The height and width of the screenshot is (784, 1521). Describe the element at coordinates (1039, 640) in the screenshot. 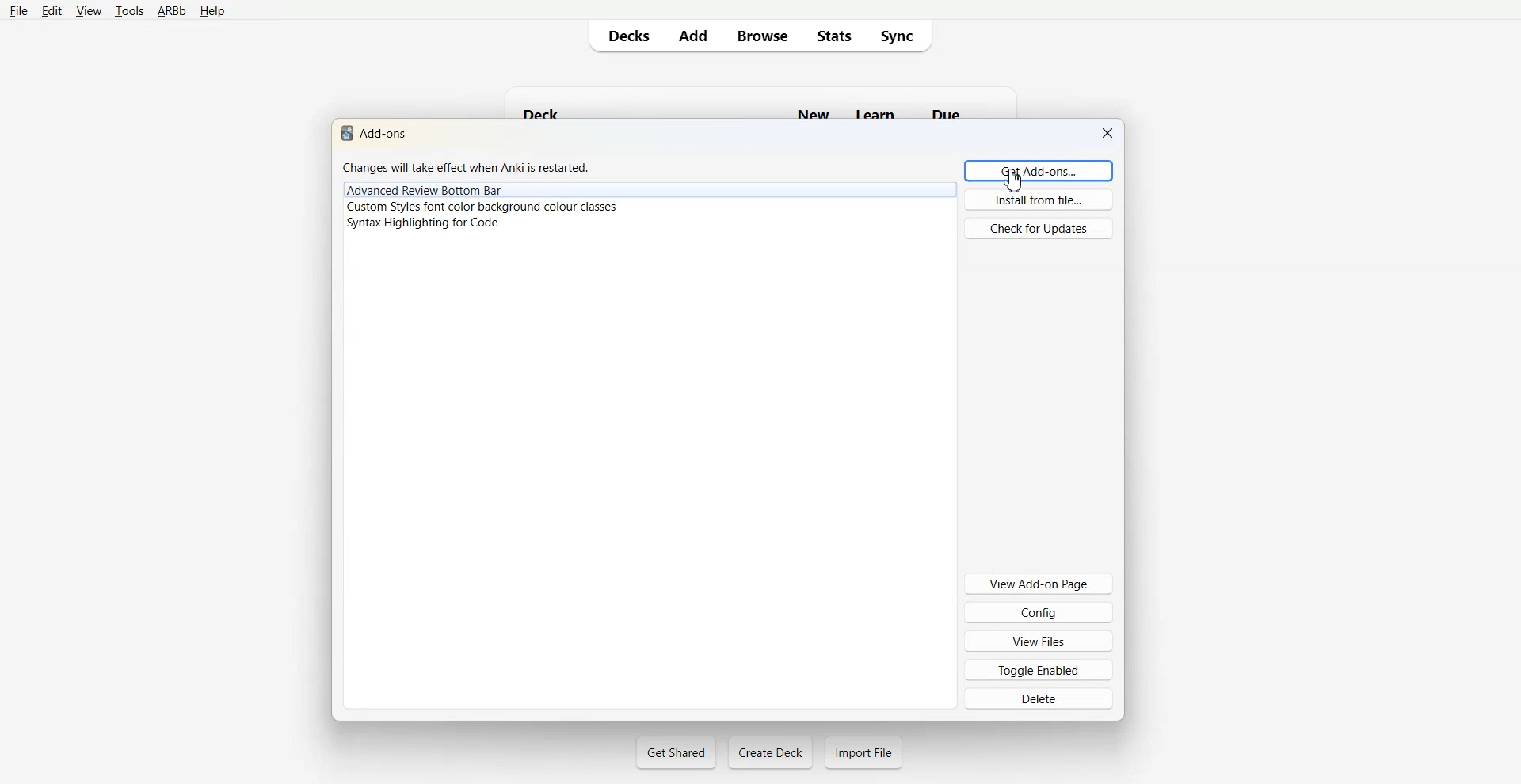

I see `View Files` at that location.